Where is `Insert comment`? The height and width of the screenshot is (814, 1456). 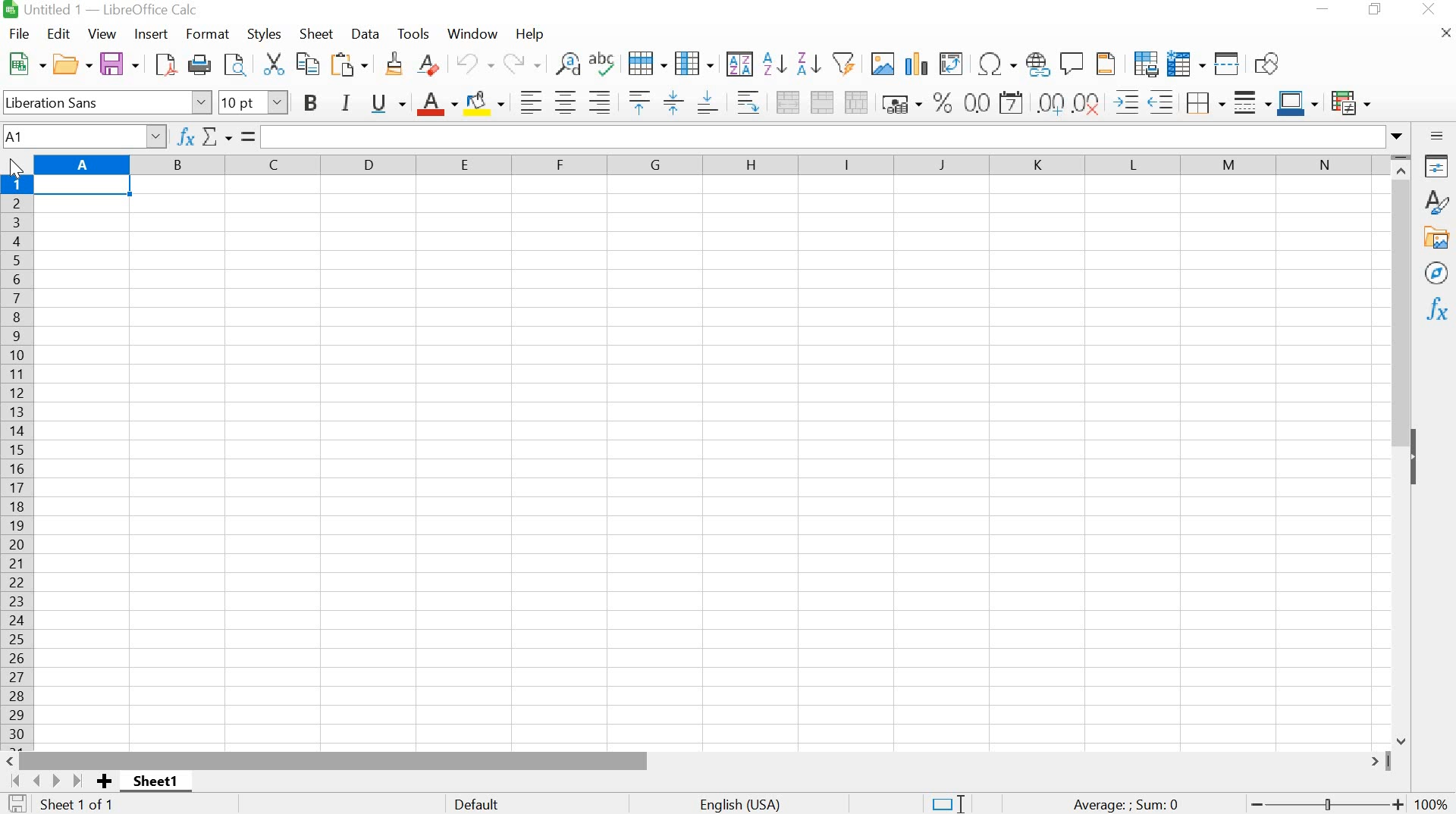 Insert comment is located at coordinates (1070, 64).